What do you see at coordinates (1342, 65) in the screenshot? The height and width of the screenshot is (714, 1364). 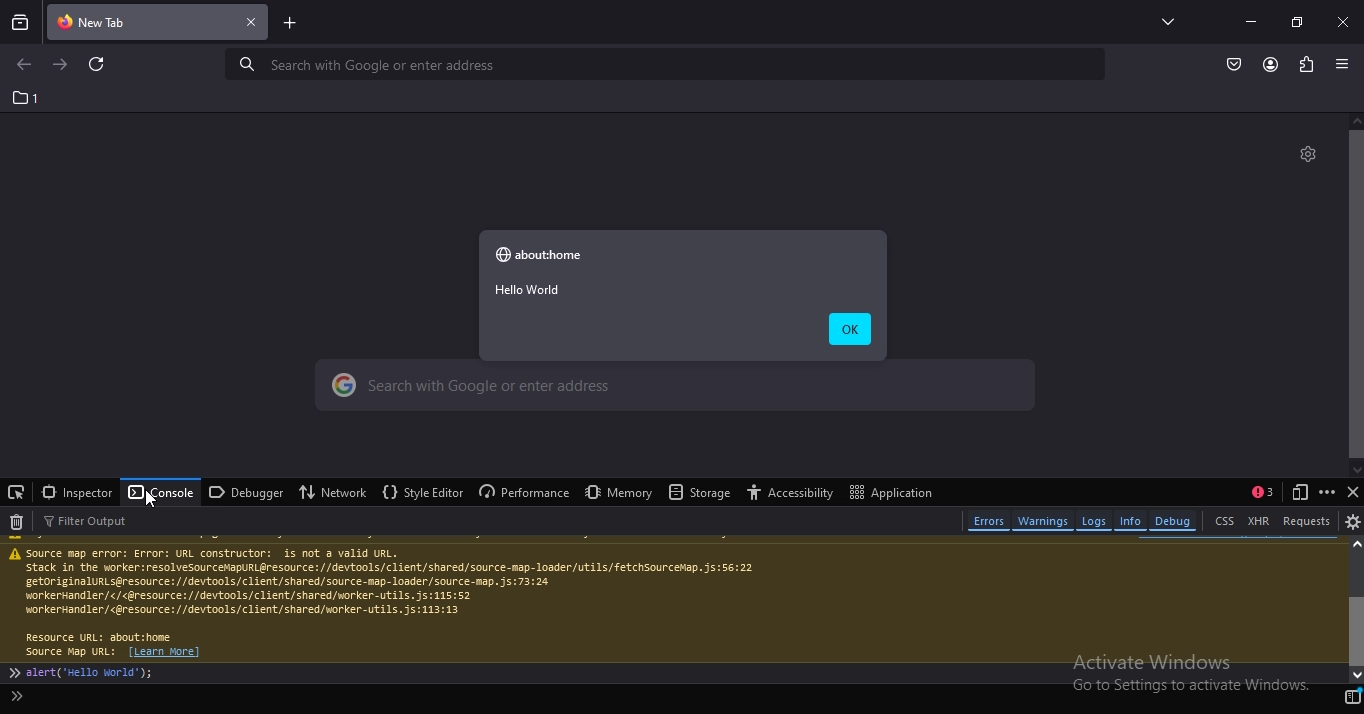 I see `open application menu` at bounding box center [1342, 65].